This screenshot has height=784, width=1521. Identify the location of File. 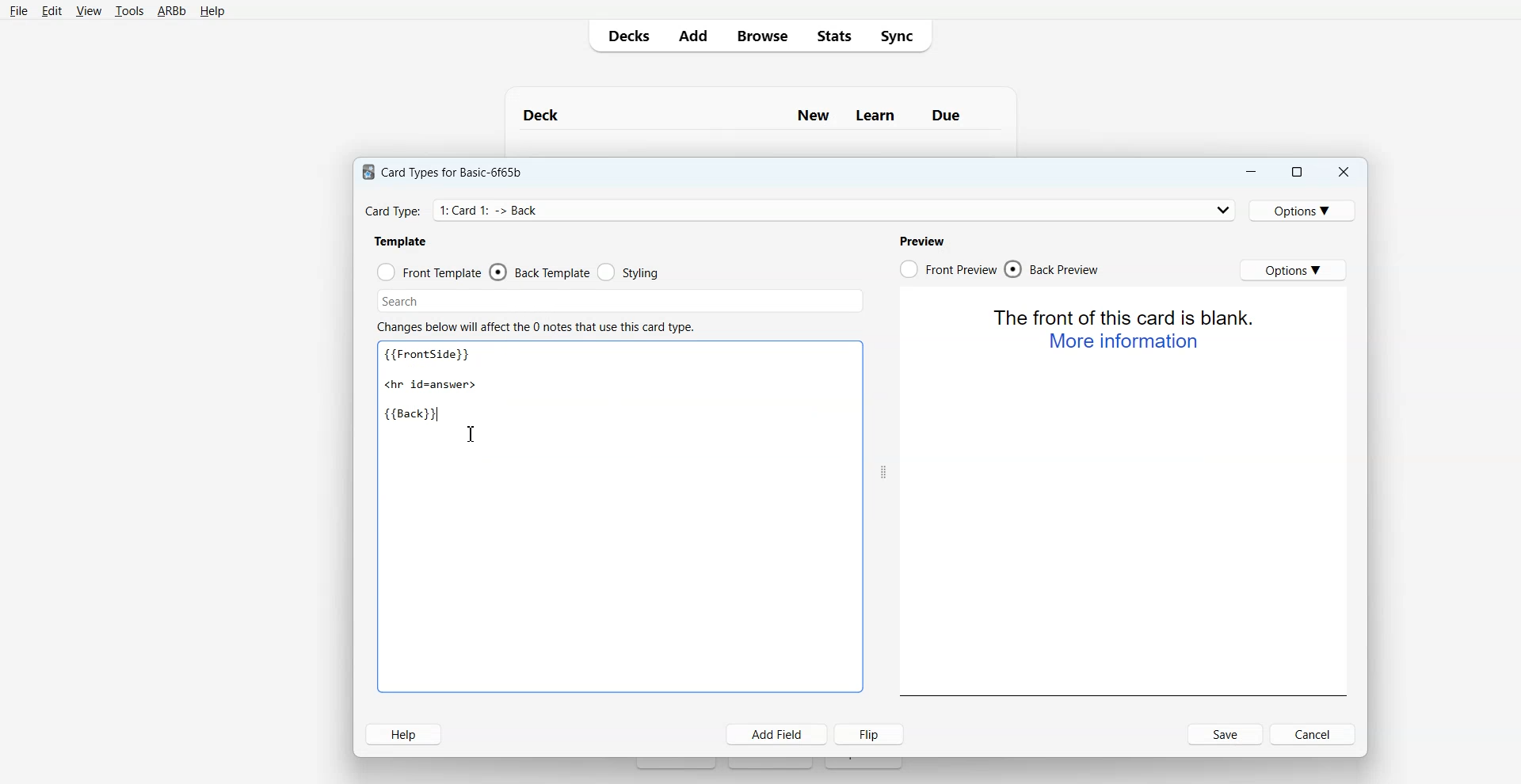
(19, 11).